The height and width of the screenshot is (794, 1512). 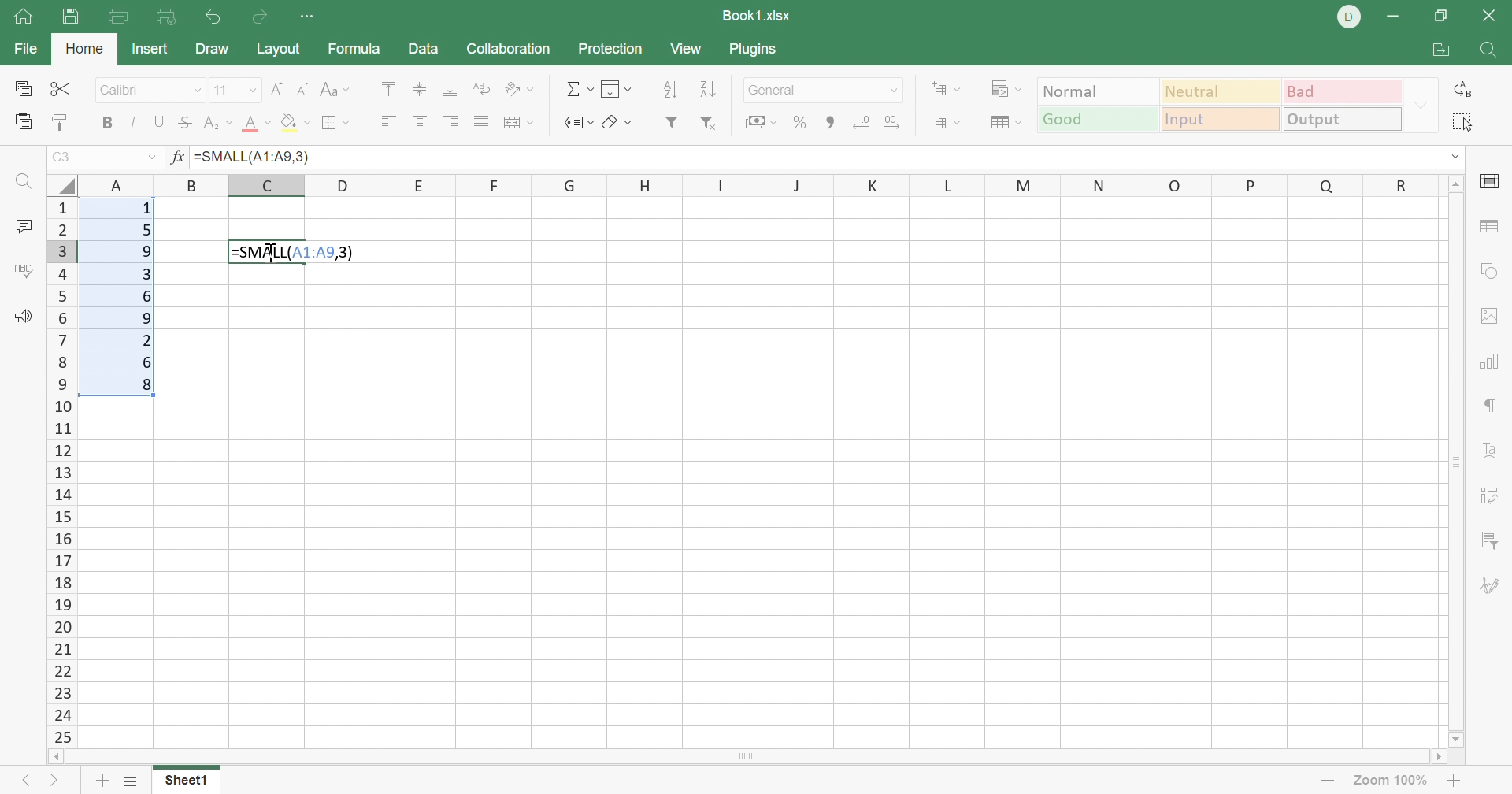 I want to click on Collaboration, so click(x=511, y=50).